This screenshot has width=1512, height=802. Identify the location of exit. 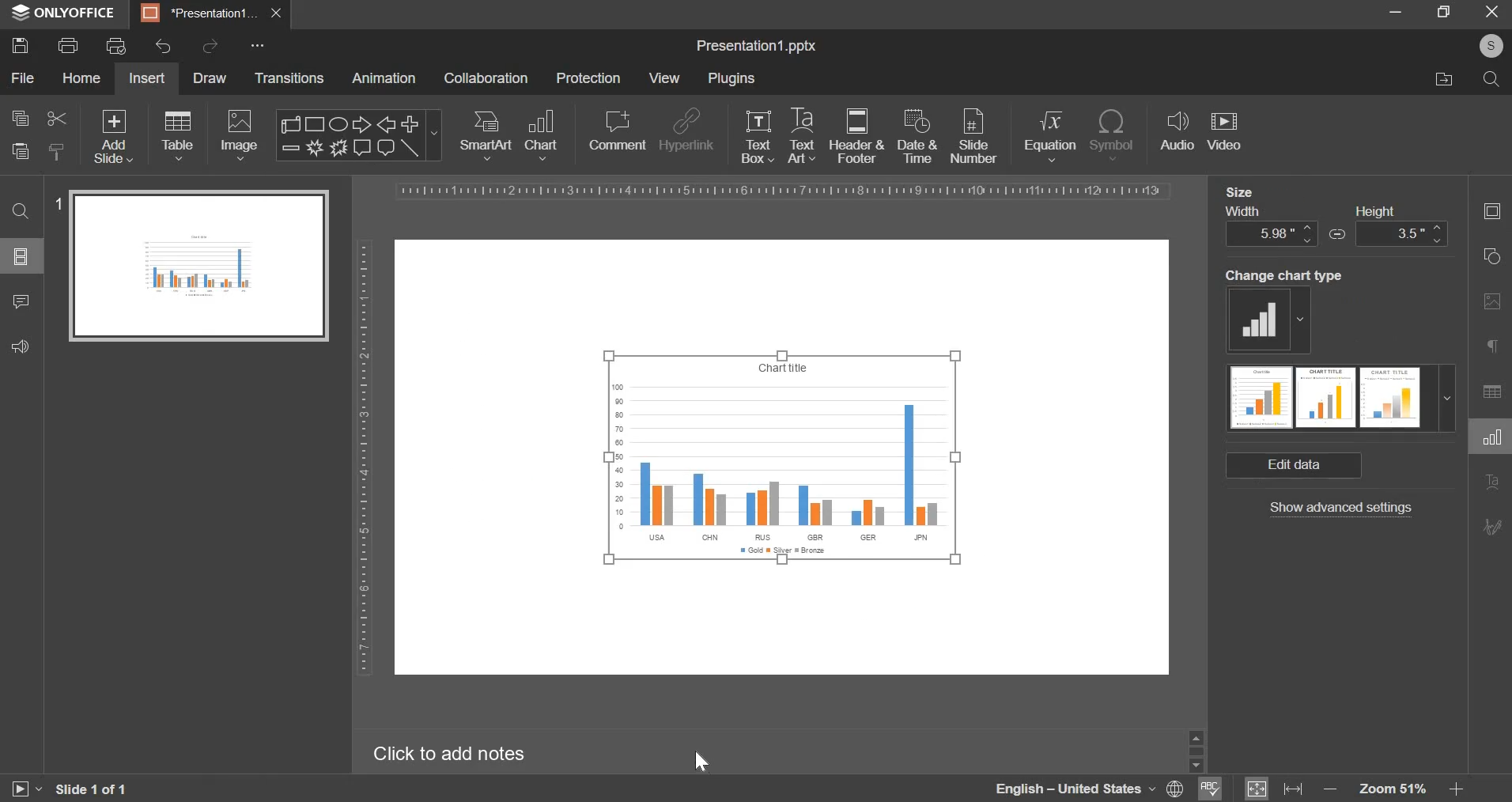
(1491, 11).